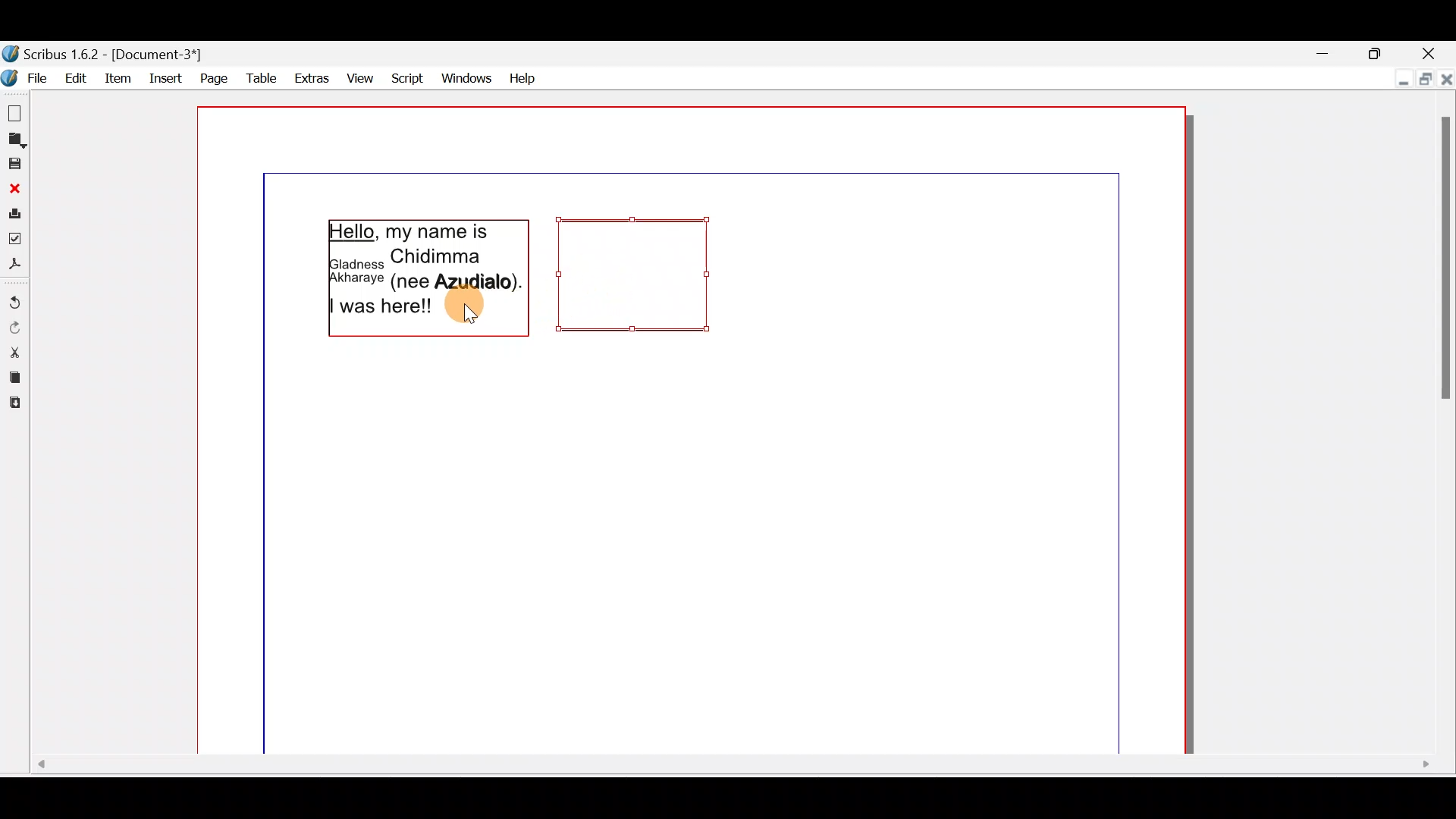  Describe the element at coordinates (1429, 52) in the screenshot. I see `Close` at that location.